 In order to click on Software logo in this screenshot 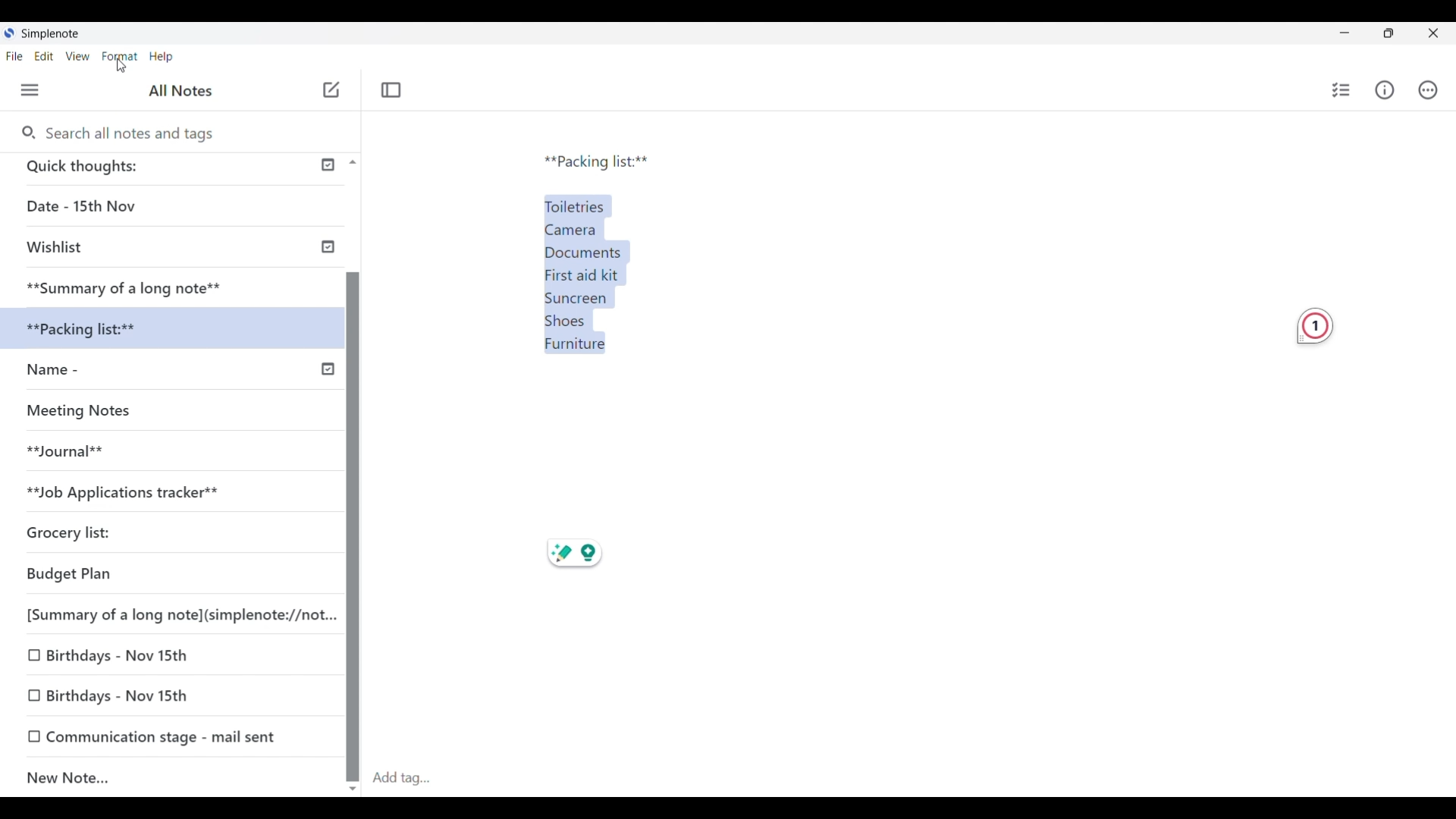, I will do `click(8, 33)`.